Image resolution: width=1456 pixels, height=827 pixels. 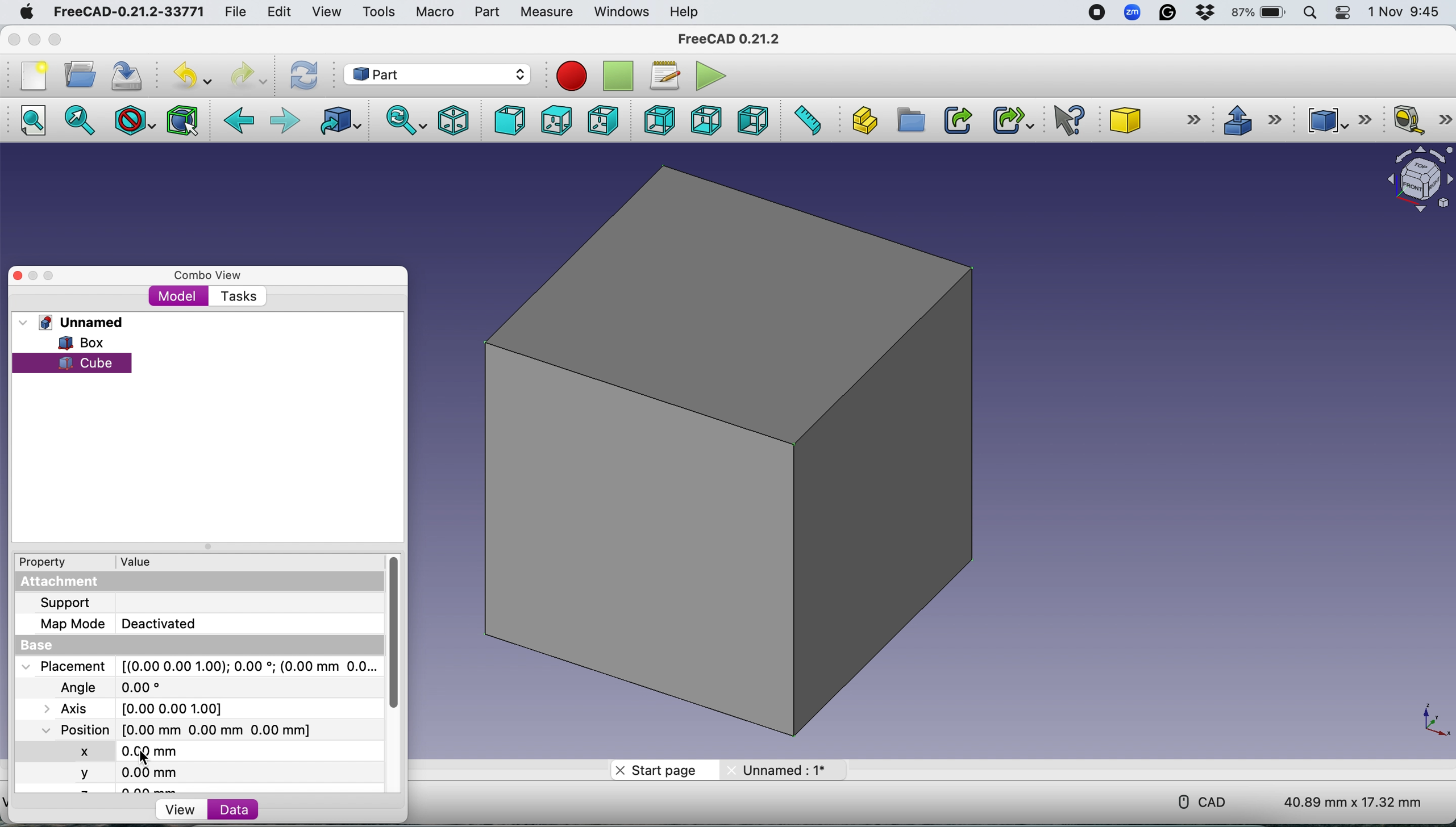 What do you see at coordinates (184, 119) in the screenshot?
I see `Bounding box` at bounding box center [184, 119].